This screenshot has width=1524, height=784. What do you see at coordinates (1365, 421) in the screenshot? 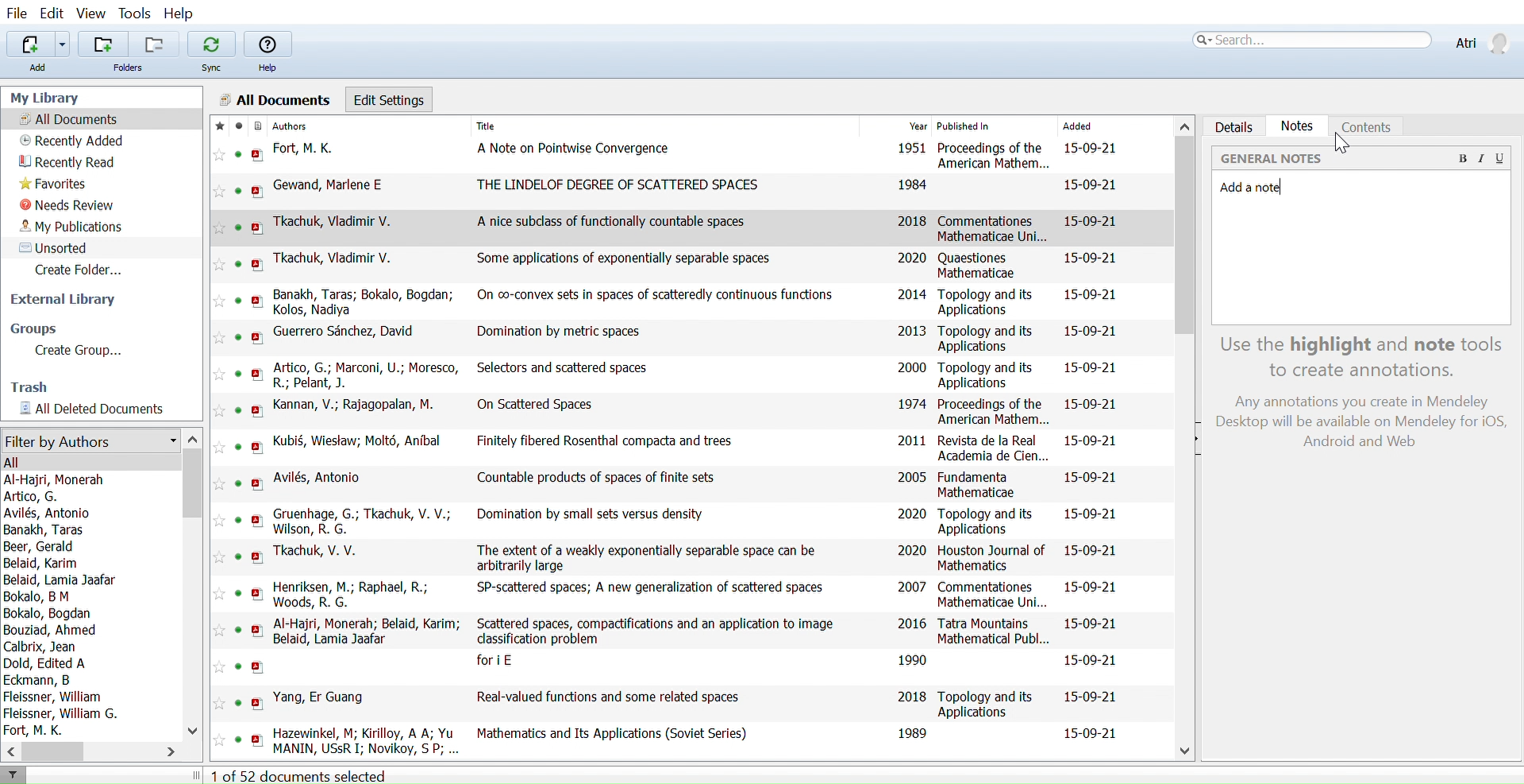
I see `Any annotations you create in Mendeley
Desktop will be available on Mendeley for iOS,
Android and Web` at bounding box center [1365, 421].